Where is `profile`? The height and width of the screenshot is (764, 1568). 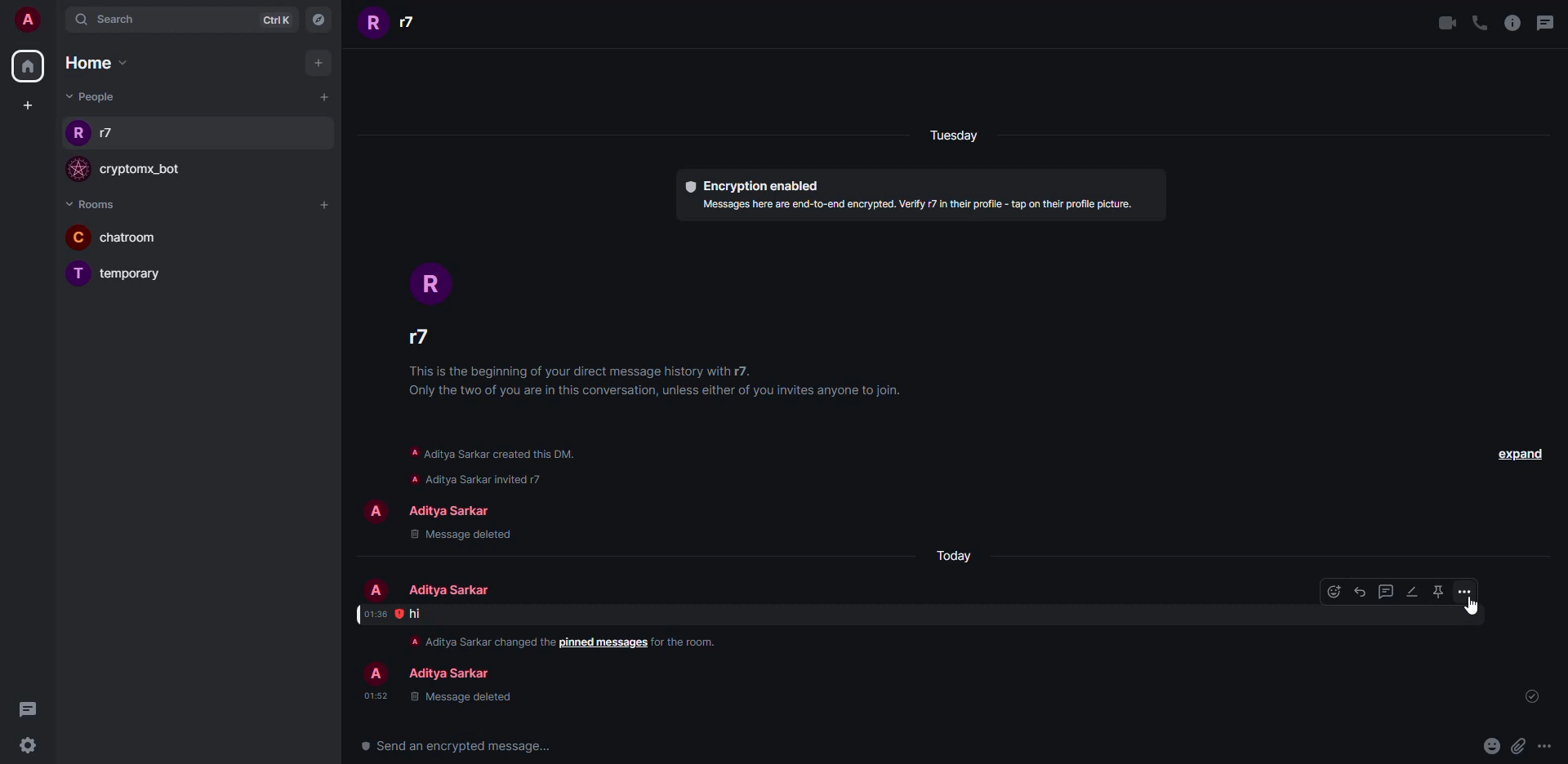 profile is located at coordinates (431, 284).